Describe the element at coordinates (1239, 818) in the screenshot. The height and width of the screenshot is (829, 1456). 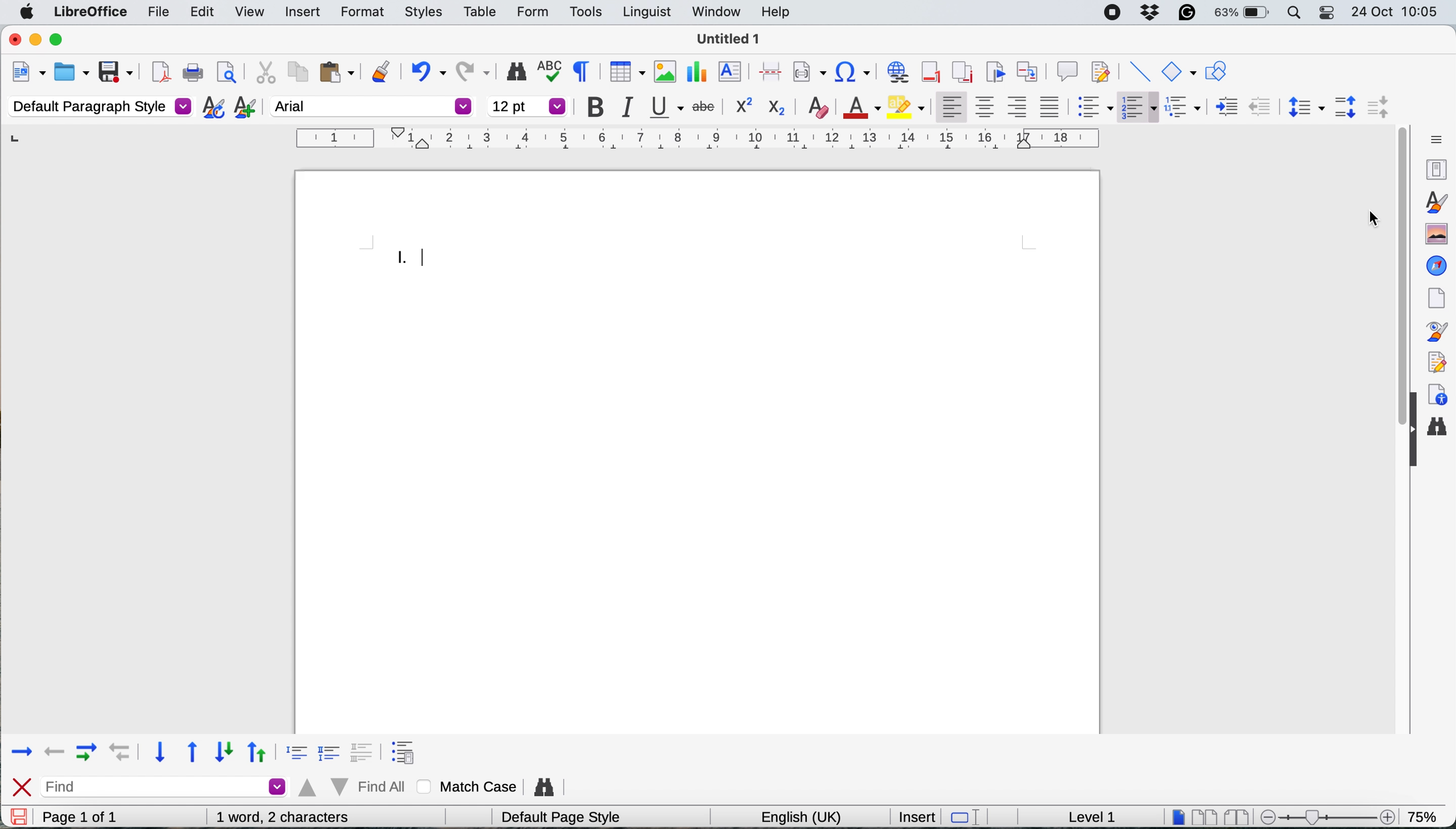
I see `book view` at that location.